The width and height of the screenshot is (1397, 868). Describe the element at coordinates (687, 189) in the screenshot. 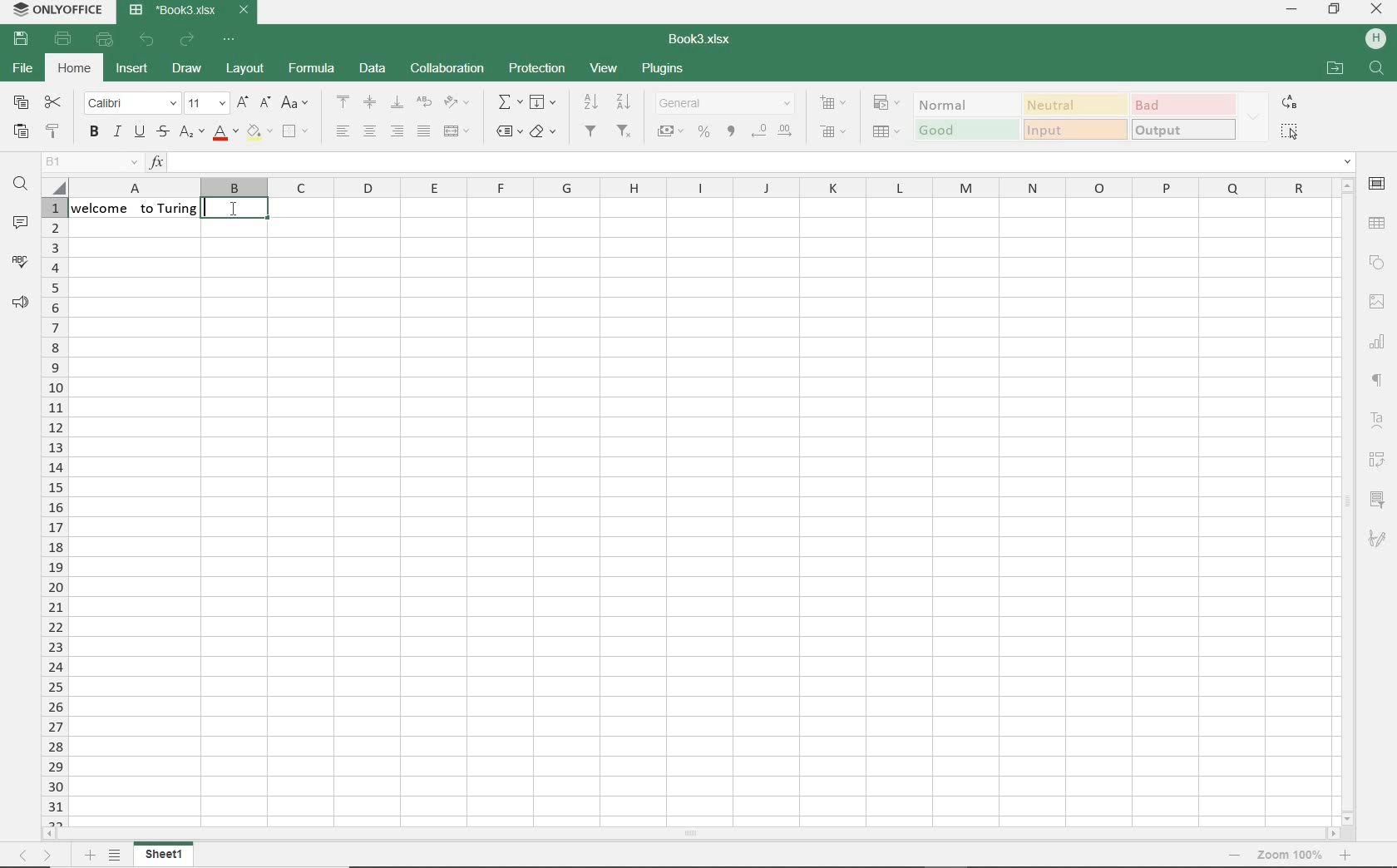

I see `columns` at that location.